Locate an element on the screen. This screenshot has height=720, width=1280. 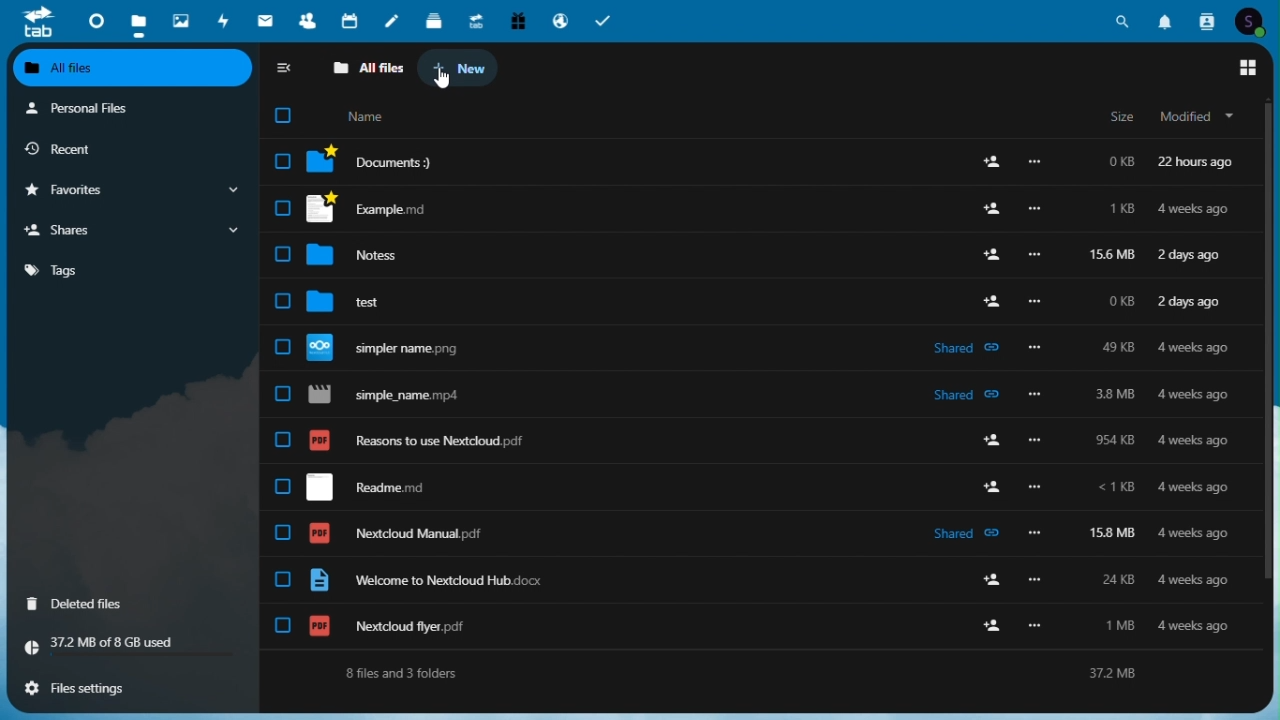
add user is located at coordinates (992, 486).